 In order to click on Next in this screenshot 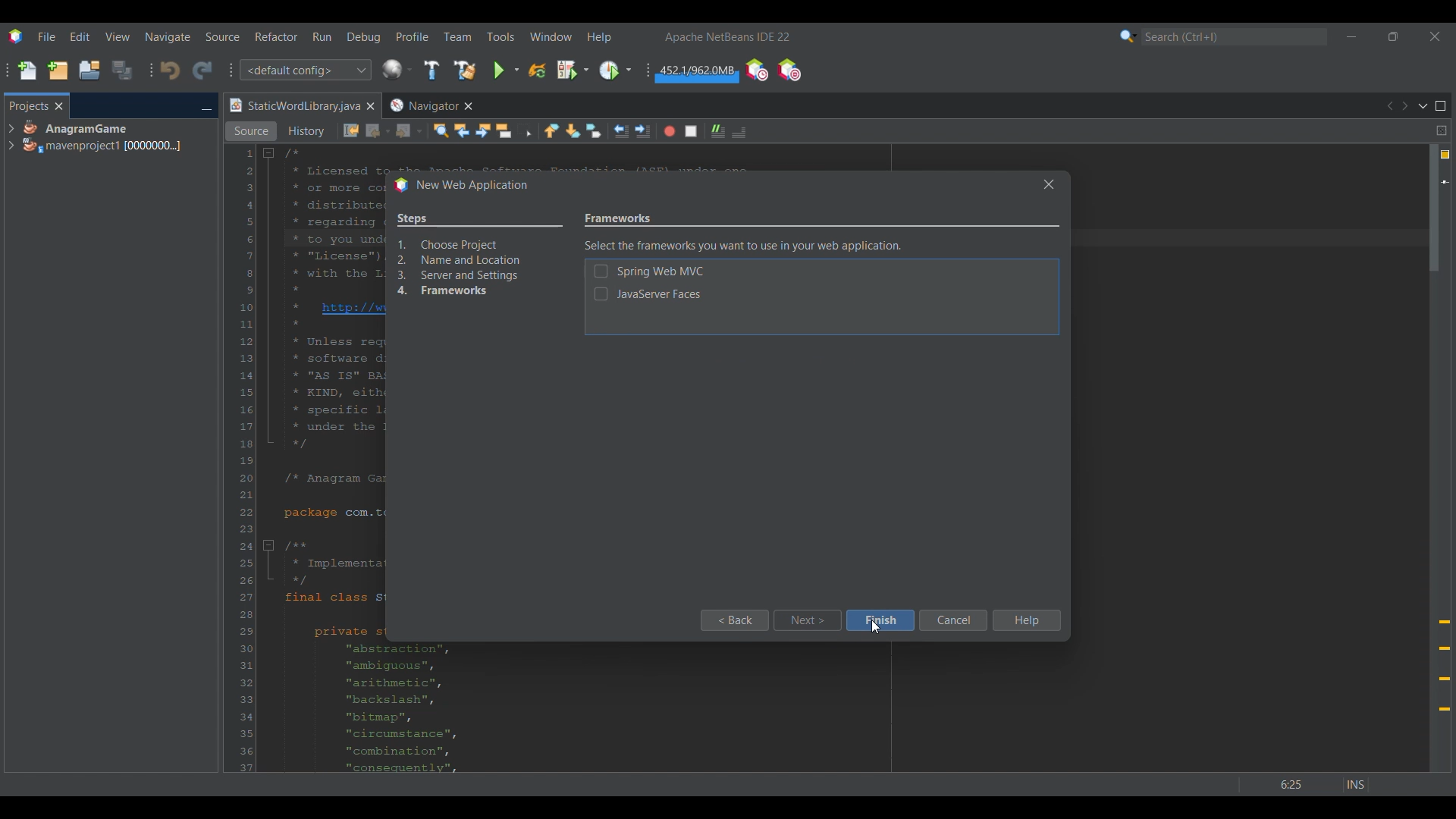, I will do `click(1404, 106)`.